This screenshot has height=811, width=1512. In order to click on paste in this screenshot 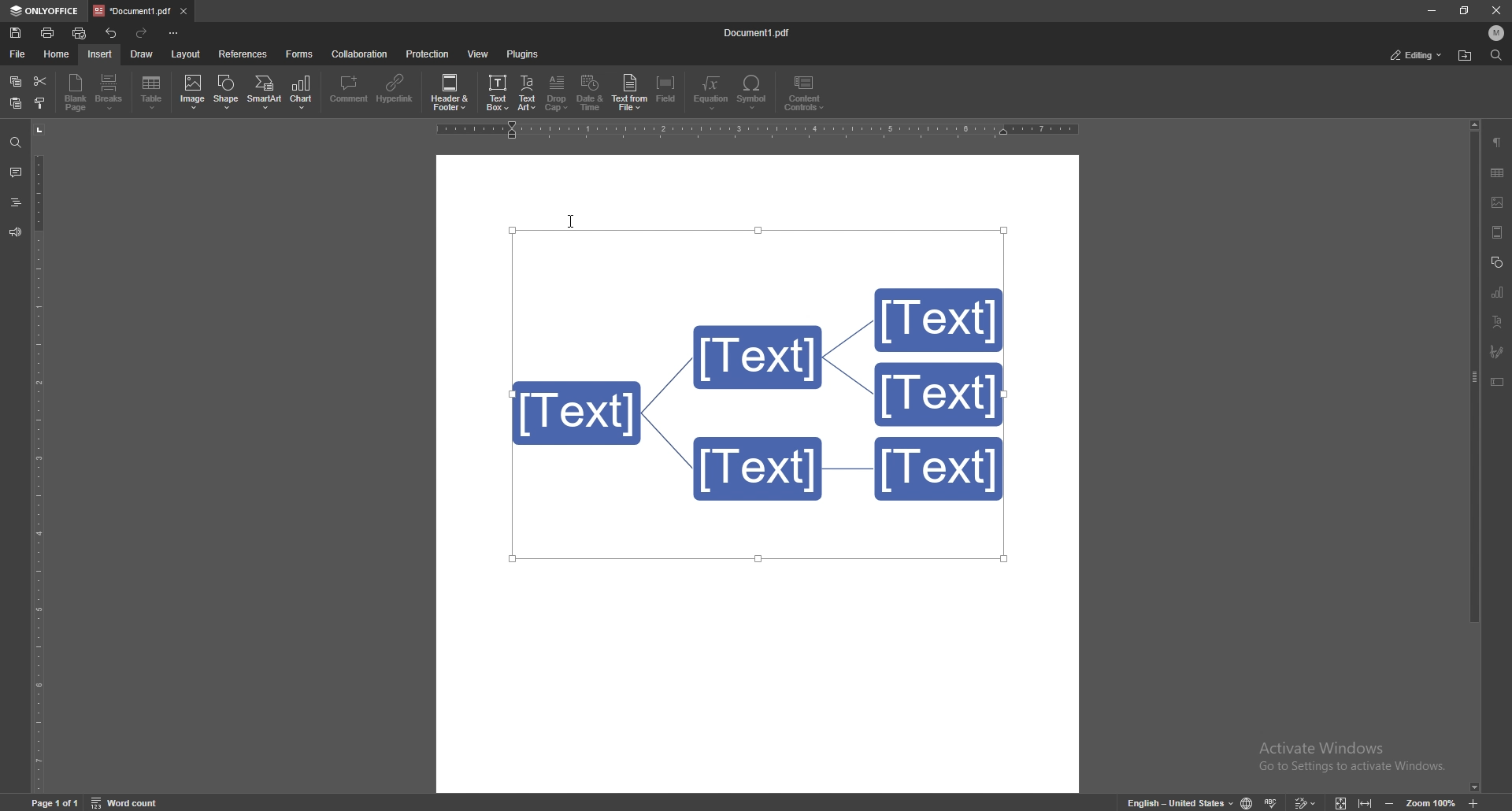, I will do `click(16, 102)`.